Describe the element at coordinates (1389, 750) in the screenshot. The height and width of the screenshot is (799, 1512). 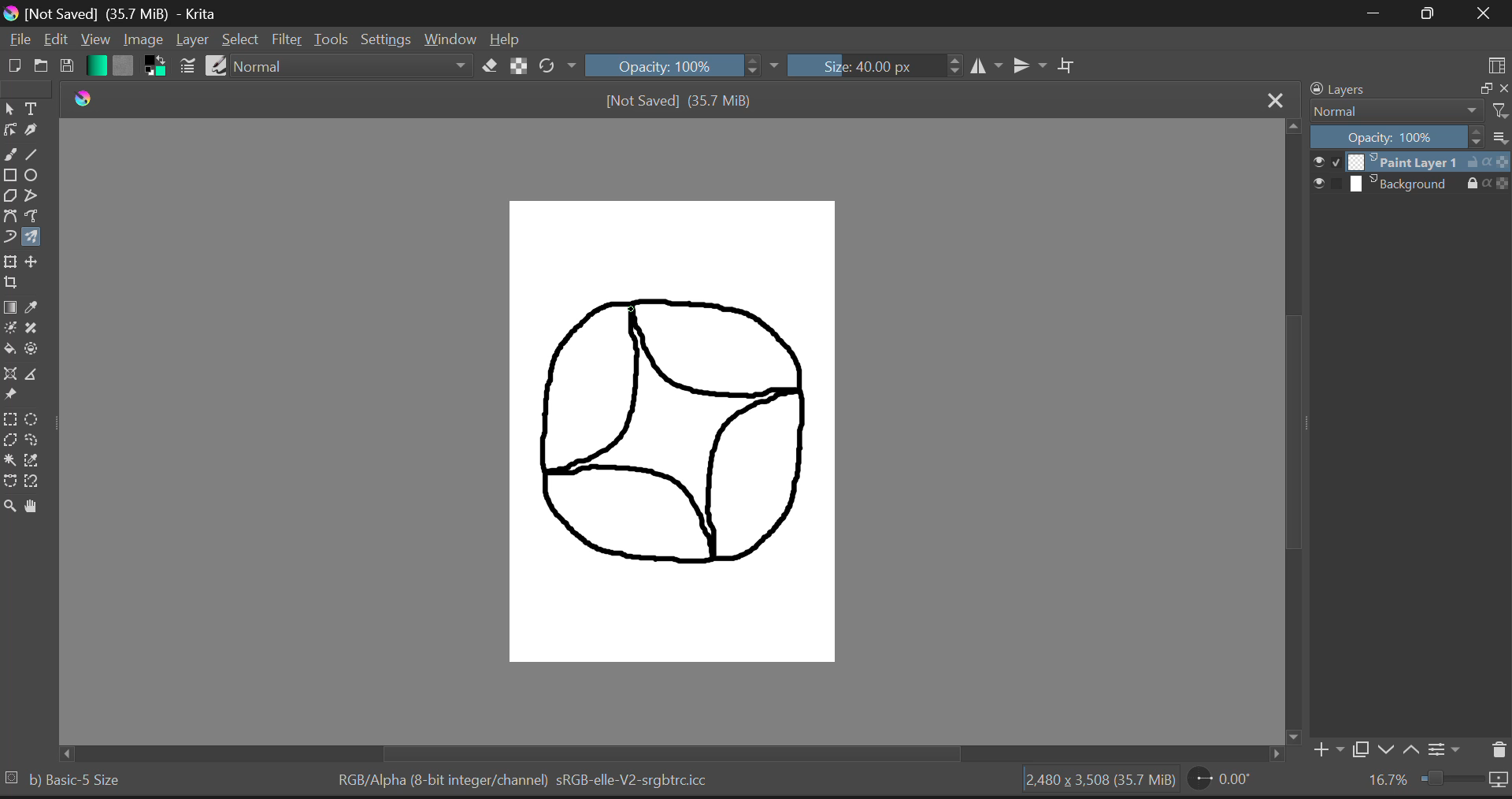
I see `Move Layer Down` at that location.